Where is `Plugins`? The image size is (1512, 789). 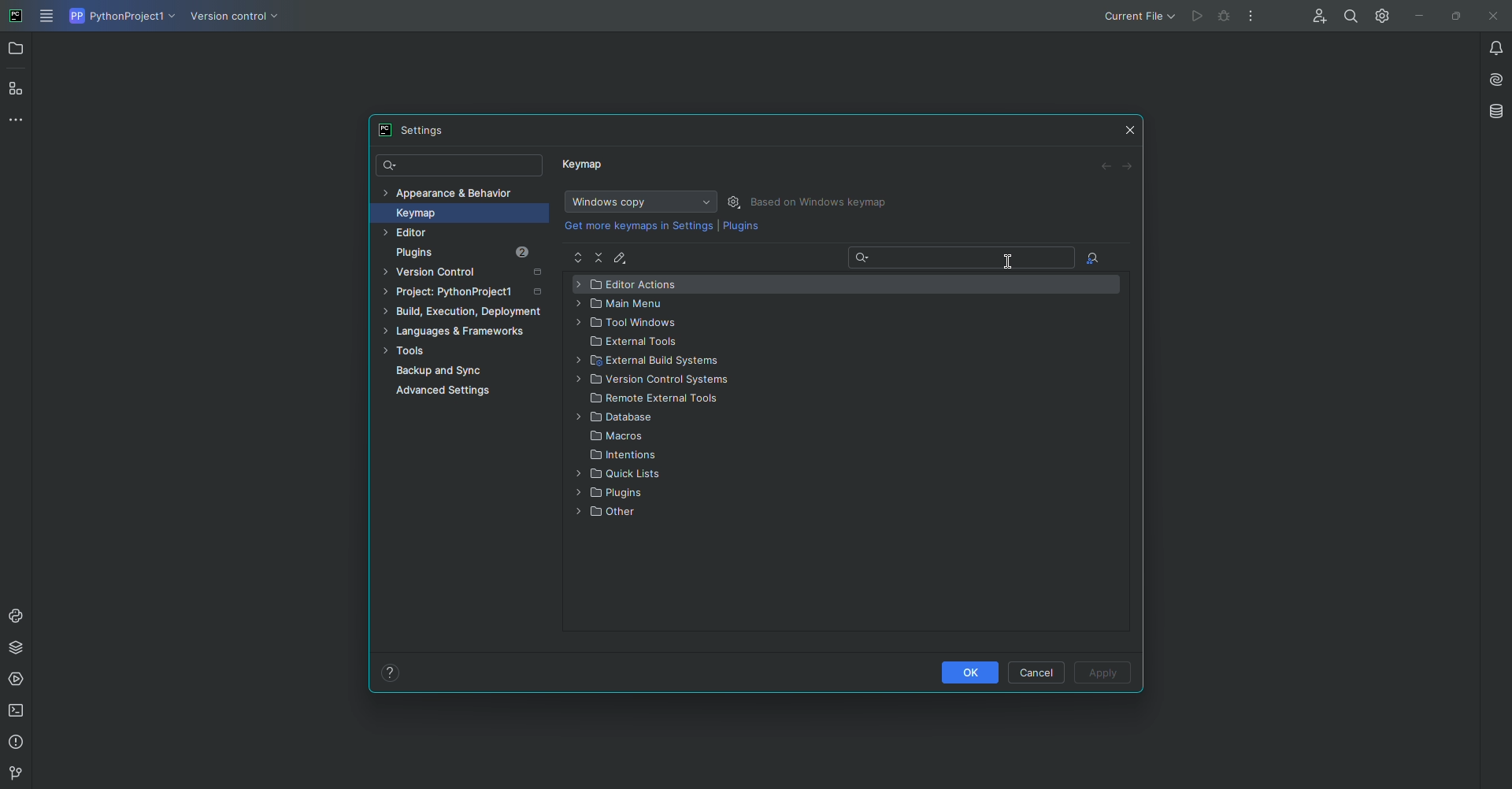 Plugins is located at coordinates (616, 494).